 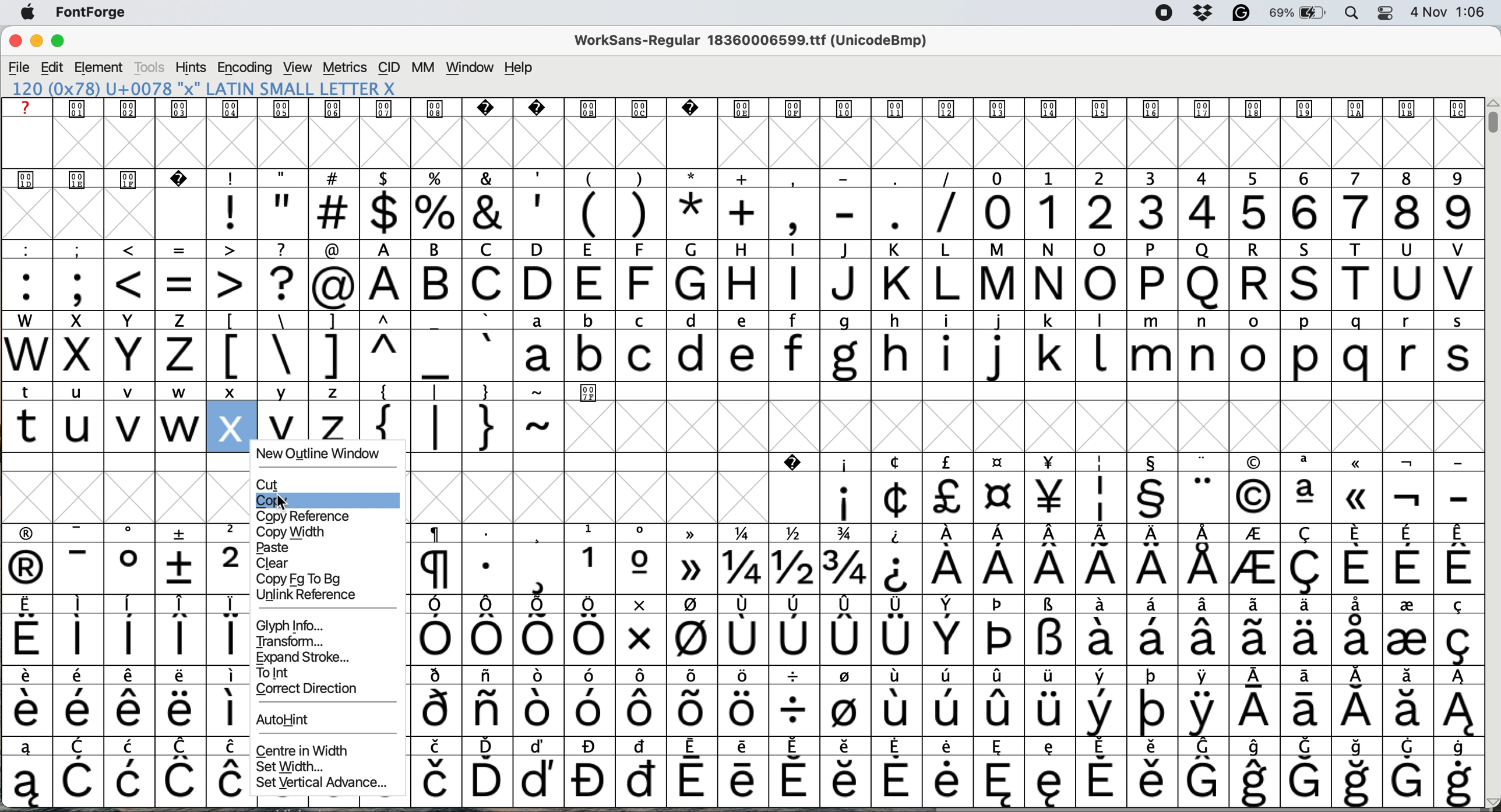 What do you see at coordinates (1490, 122) in the screenshot?
I see `vertical scroll bar` at bounding box center [1490, 122].